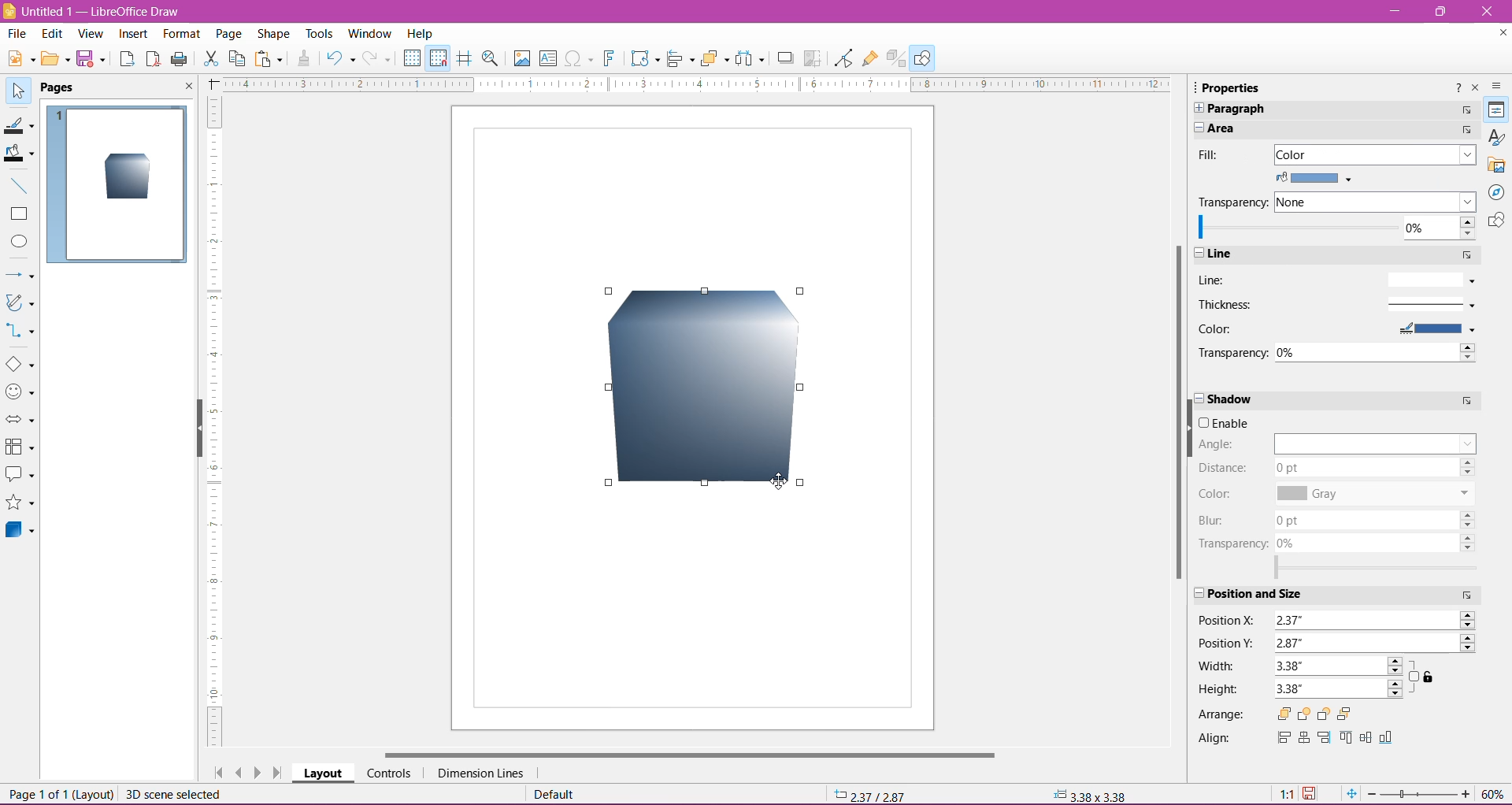 The height and width of the screenshot is (805, 1512). What do you see at coordinates (260, 772) in the screenshot?
I see `Scroll to next page` at bounding box center [260, 772].